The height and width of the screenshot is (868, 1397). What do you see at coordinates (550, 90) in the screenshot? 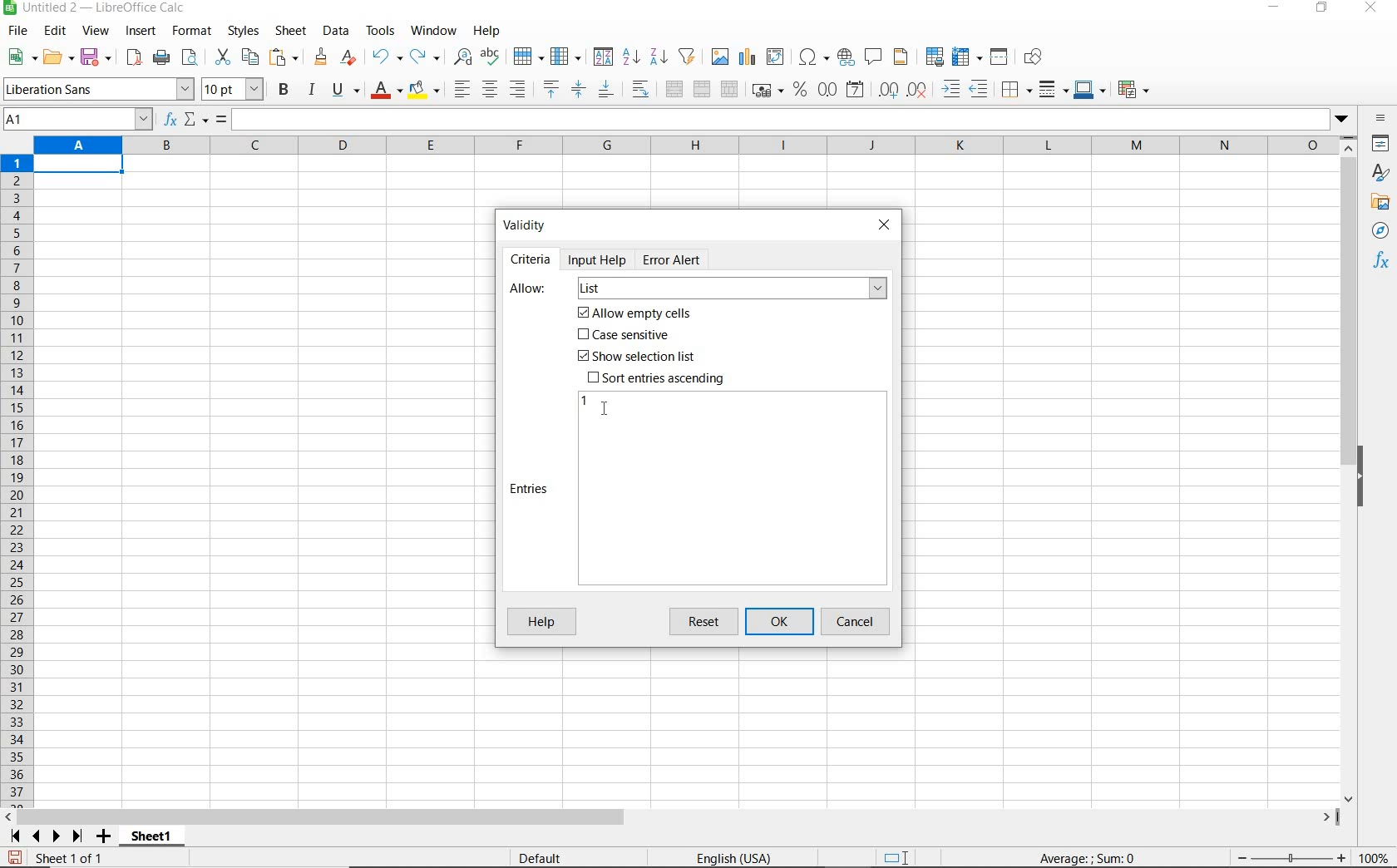
I see `align top` at bounding box center [550, 90].